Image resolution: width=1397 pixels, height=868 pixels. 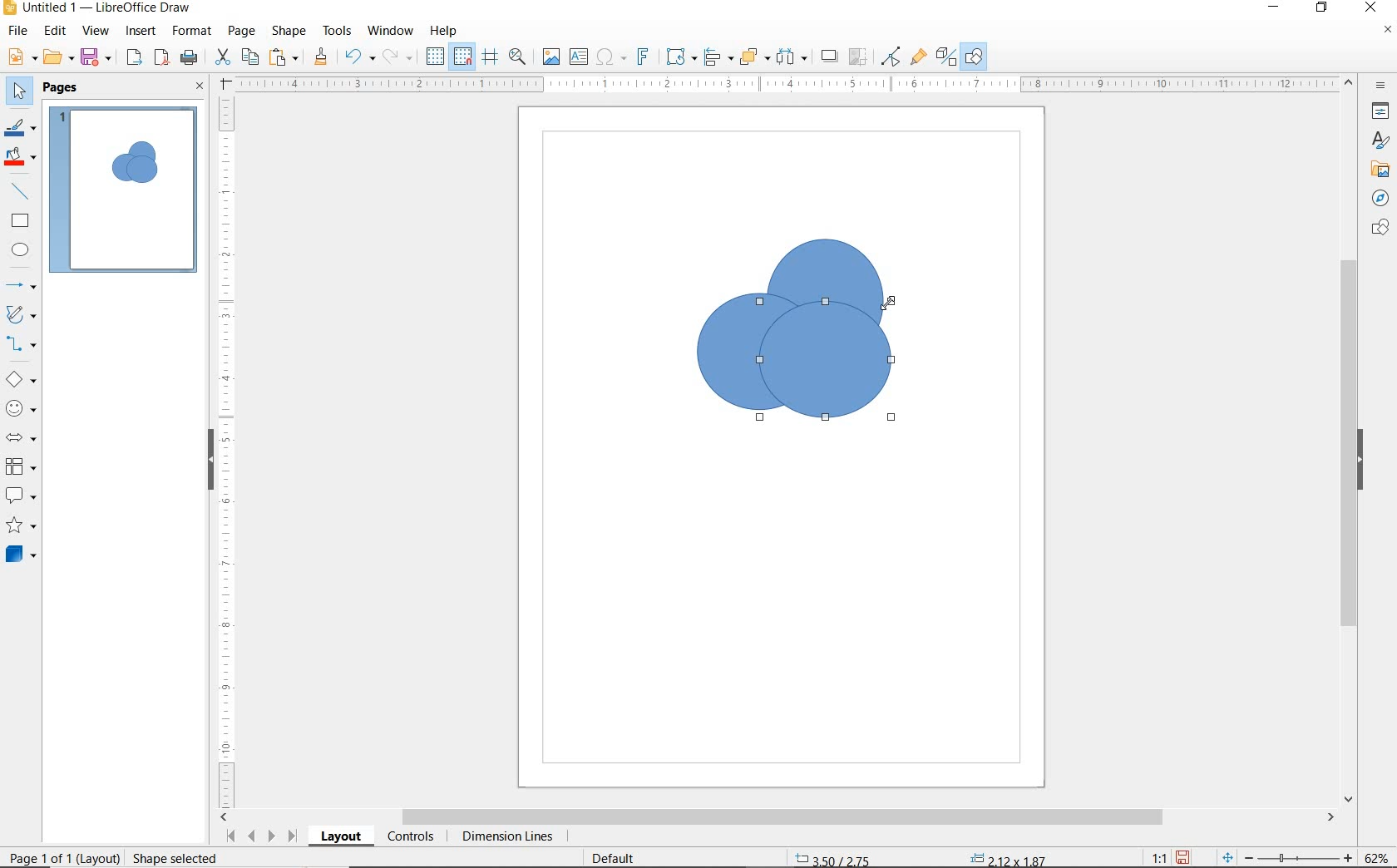 What do you see at coordinates (1377, 855) in the screenshot?
I see `ZOOM FACTOR` at bounding box center [1377, 855].